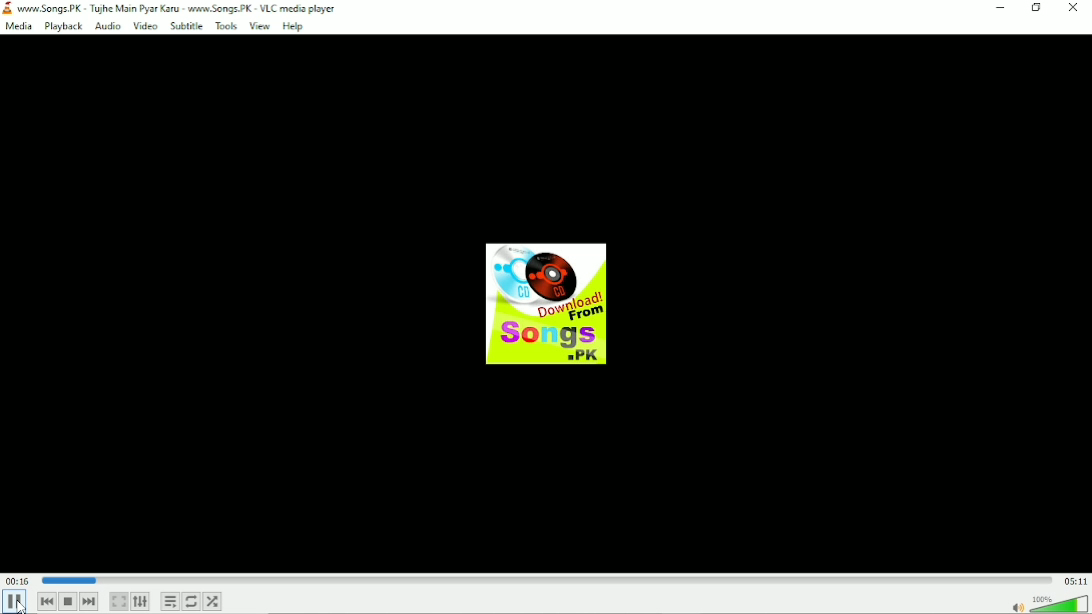 The image size is (1092, 614). Describe the element at coordinates (192, 601) in the screenshot. I see `Click to toggle between loop all, loop one, no loop` at that location.